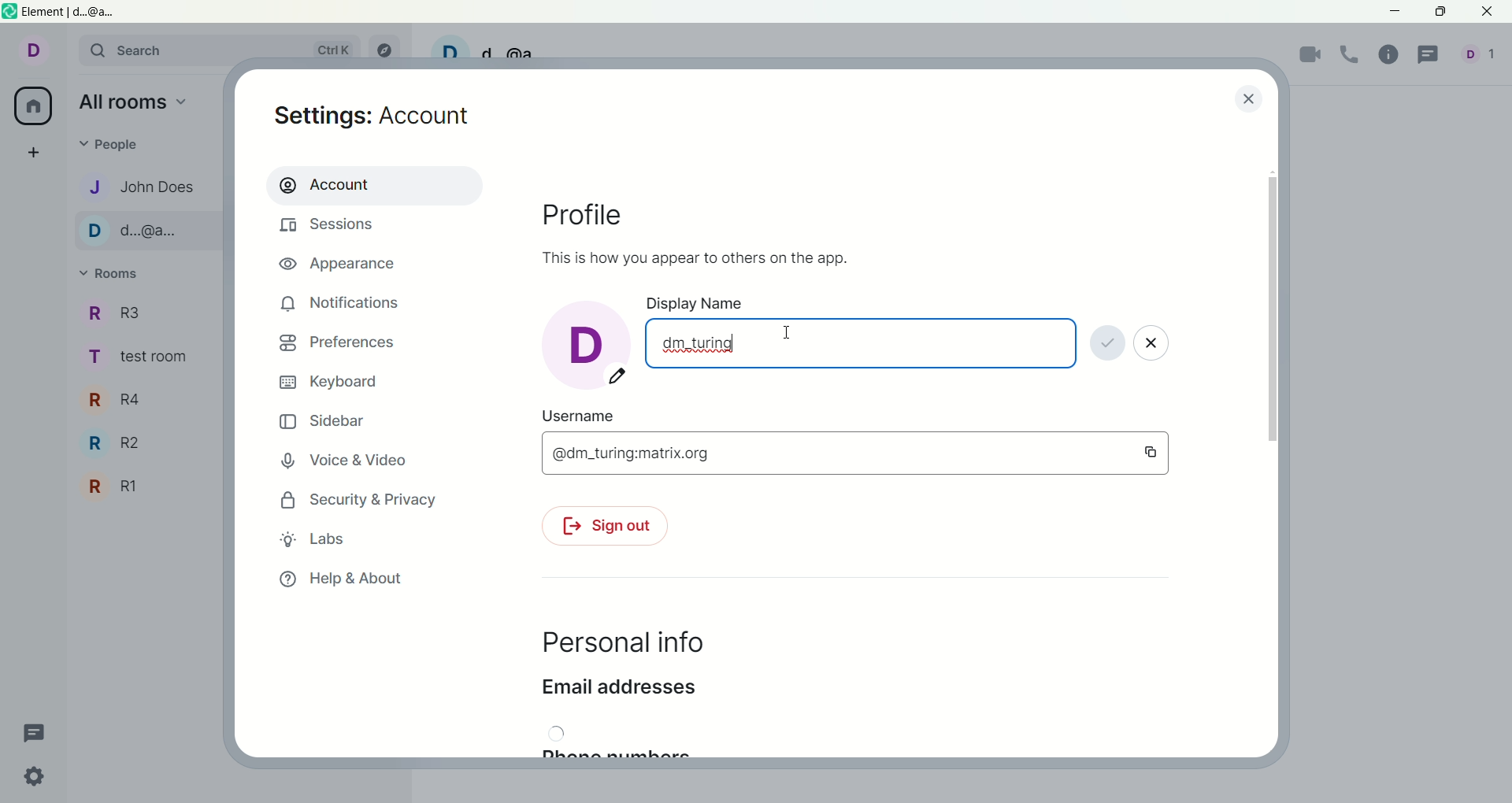 The height and width of the screenshot is (803, 1512). Describe the element at coordinates (39, 154) in the screenshot. I see `create a space` at that location.